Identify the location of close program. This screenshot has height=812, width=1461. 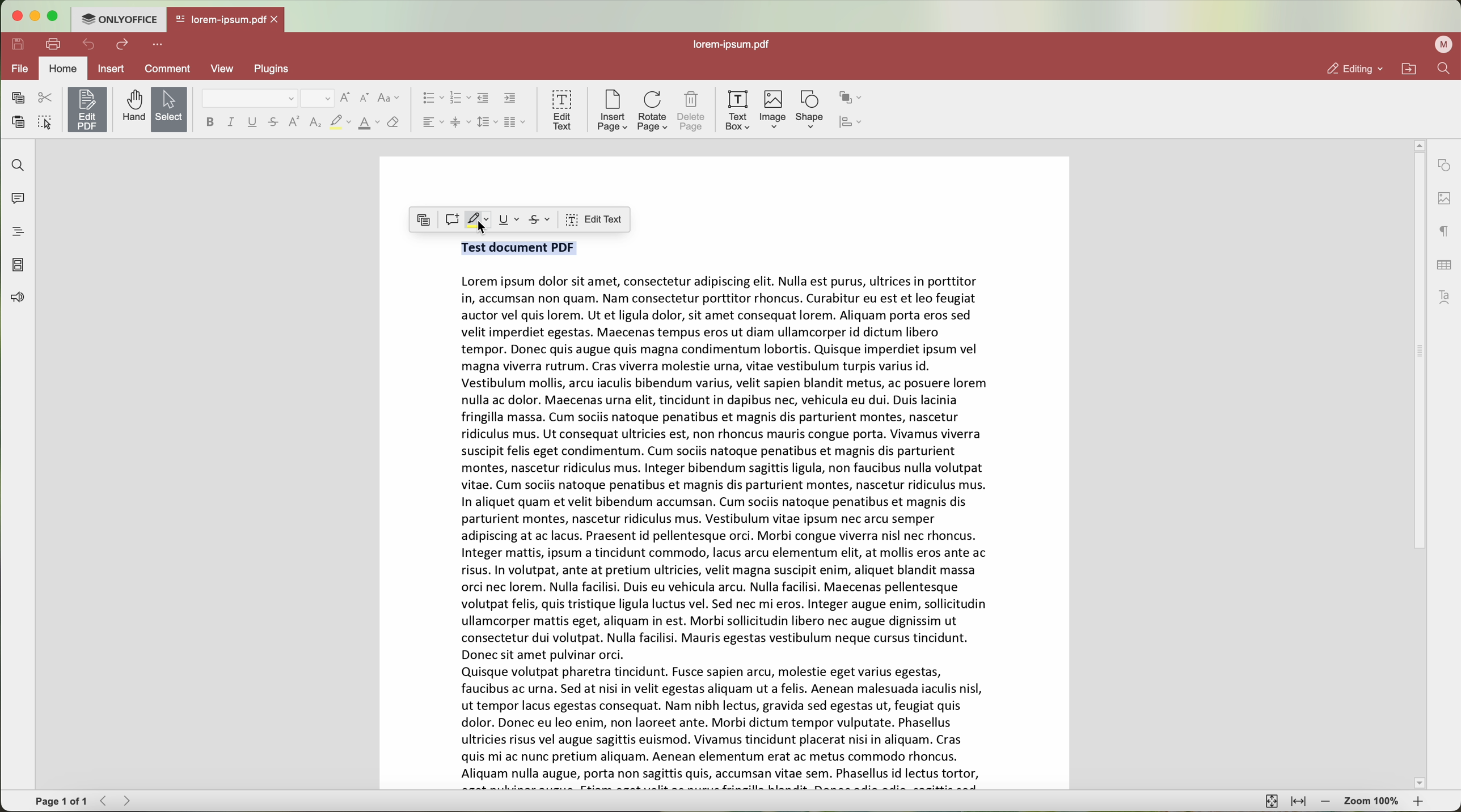
(14, 16).